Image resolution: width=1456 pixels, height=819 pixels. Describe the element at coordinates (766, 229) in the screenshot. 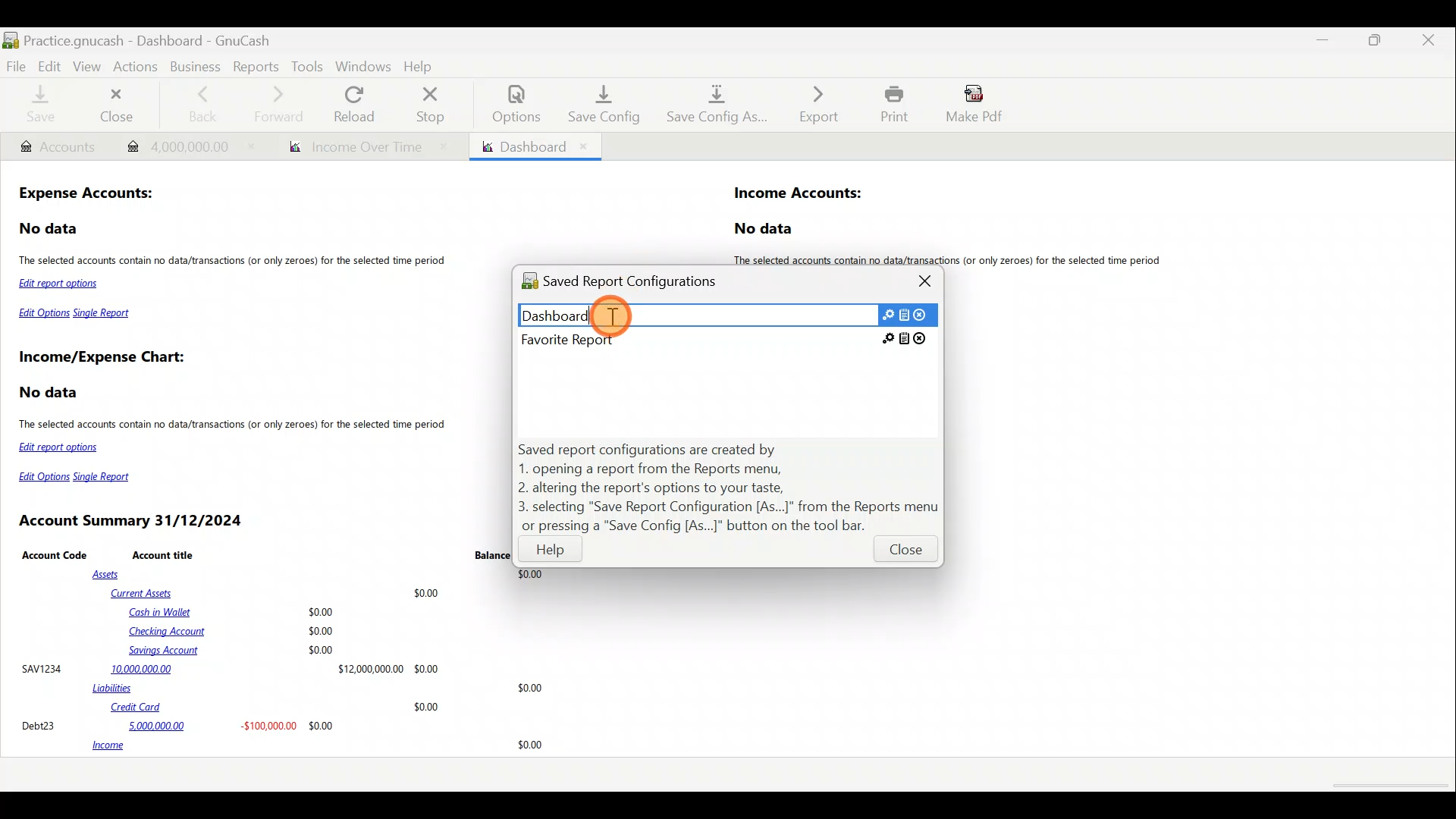

I see `No data` at that location.